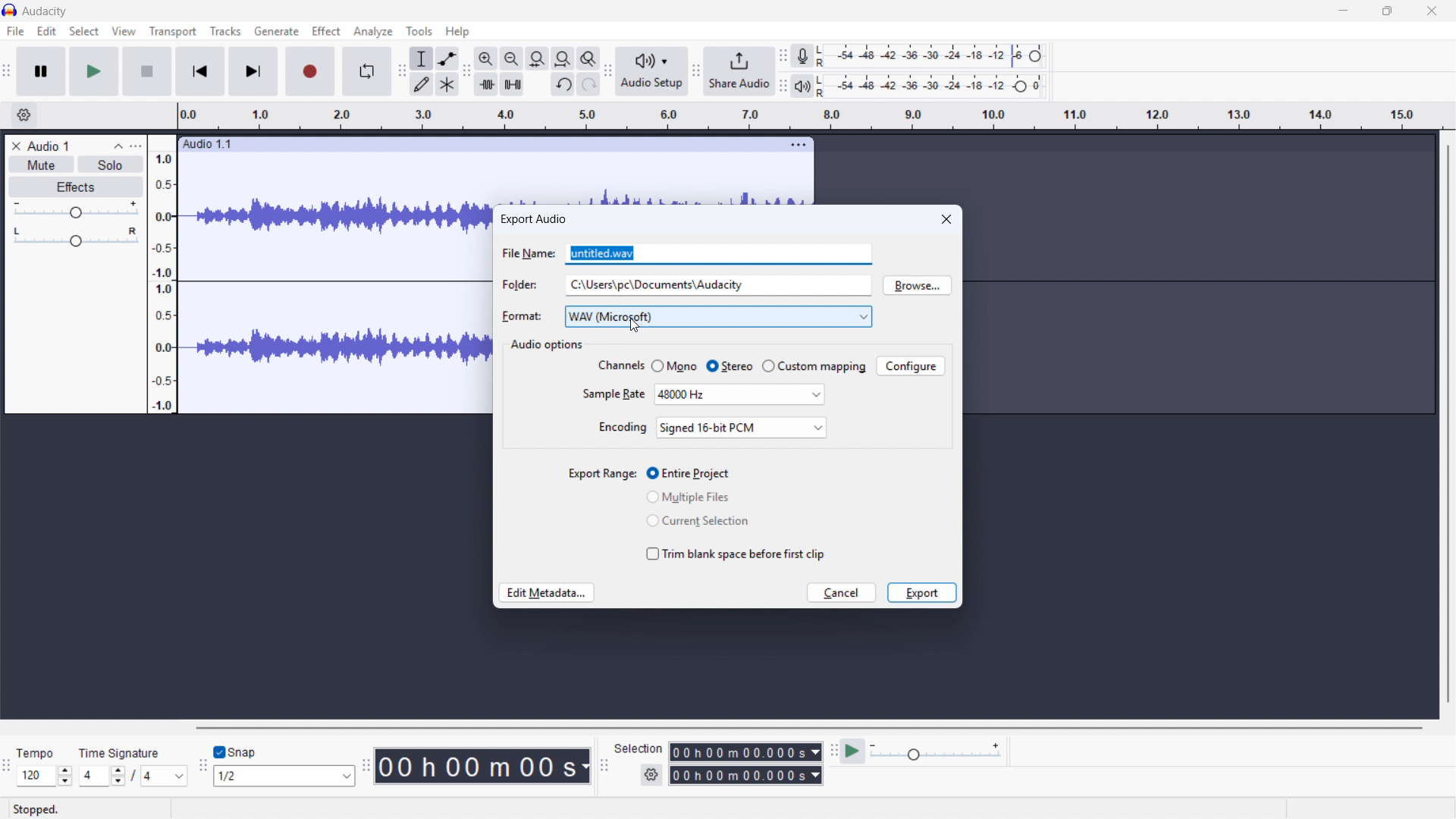 This screenshot has width=1456, height=819. I want to click on Transport toolbar, so click(7, 73).